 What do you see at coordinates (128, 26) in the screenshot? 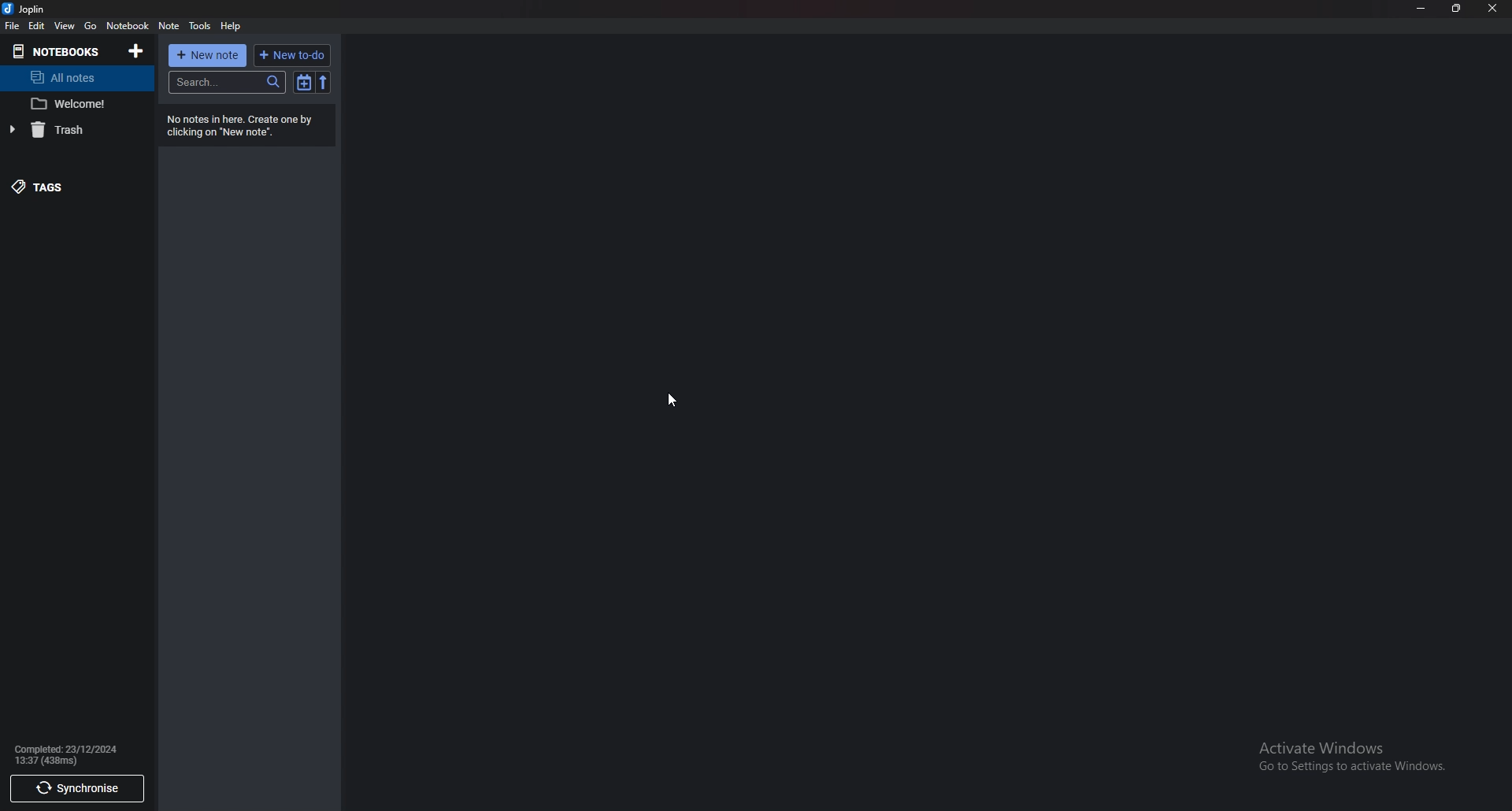
I see `Notebook` at bounding box center [128, 26].